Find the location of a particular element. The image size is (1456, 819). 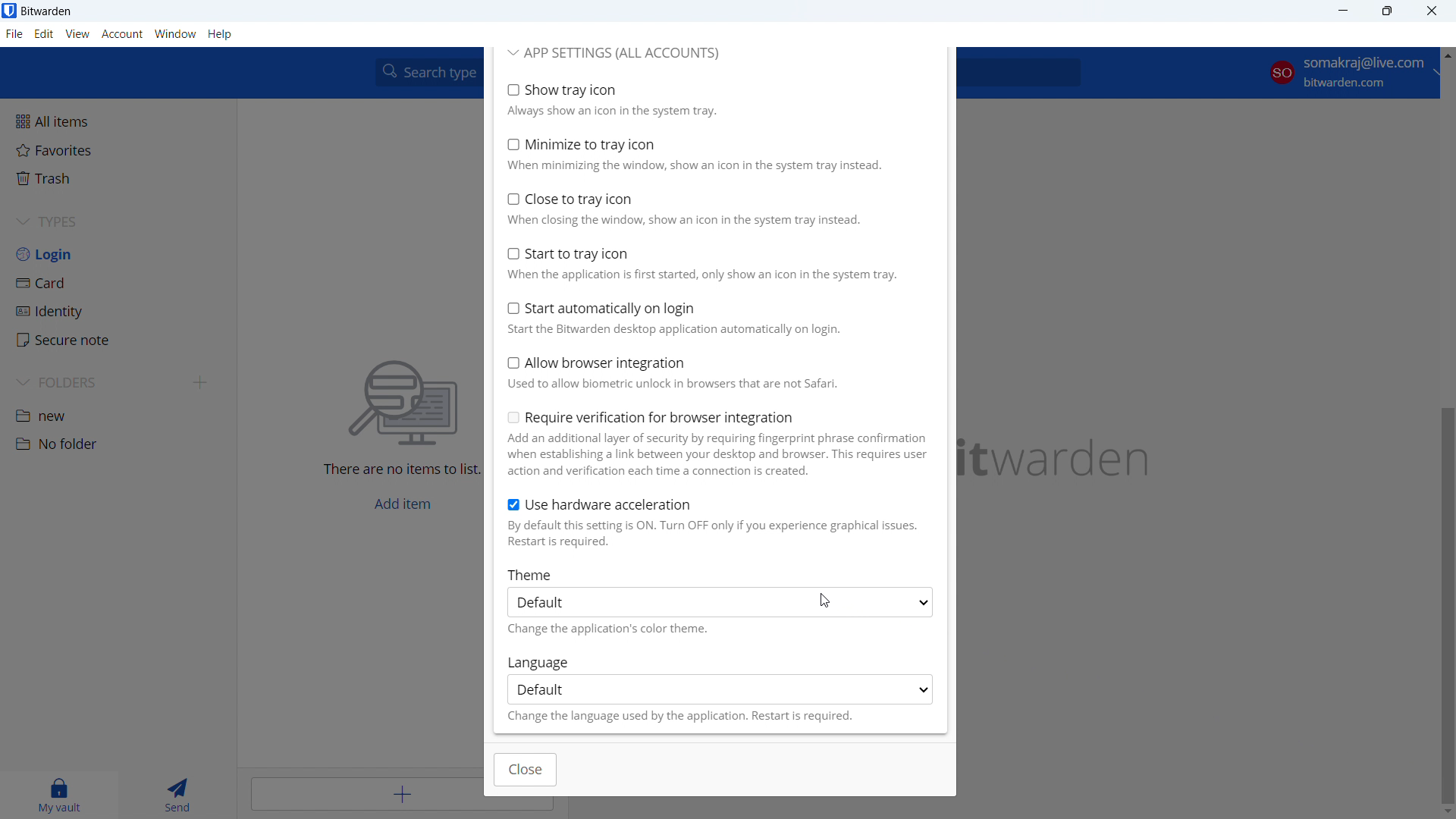

view is located at coordinates (77, 34).